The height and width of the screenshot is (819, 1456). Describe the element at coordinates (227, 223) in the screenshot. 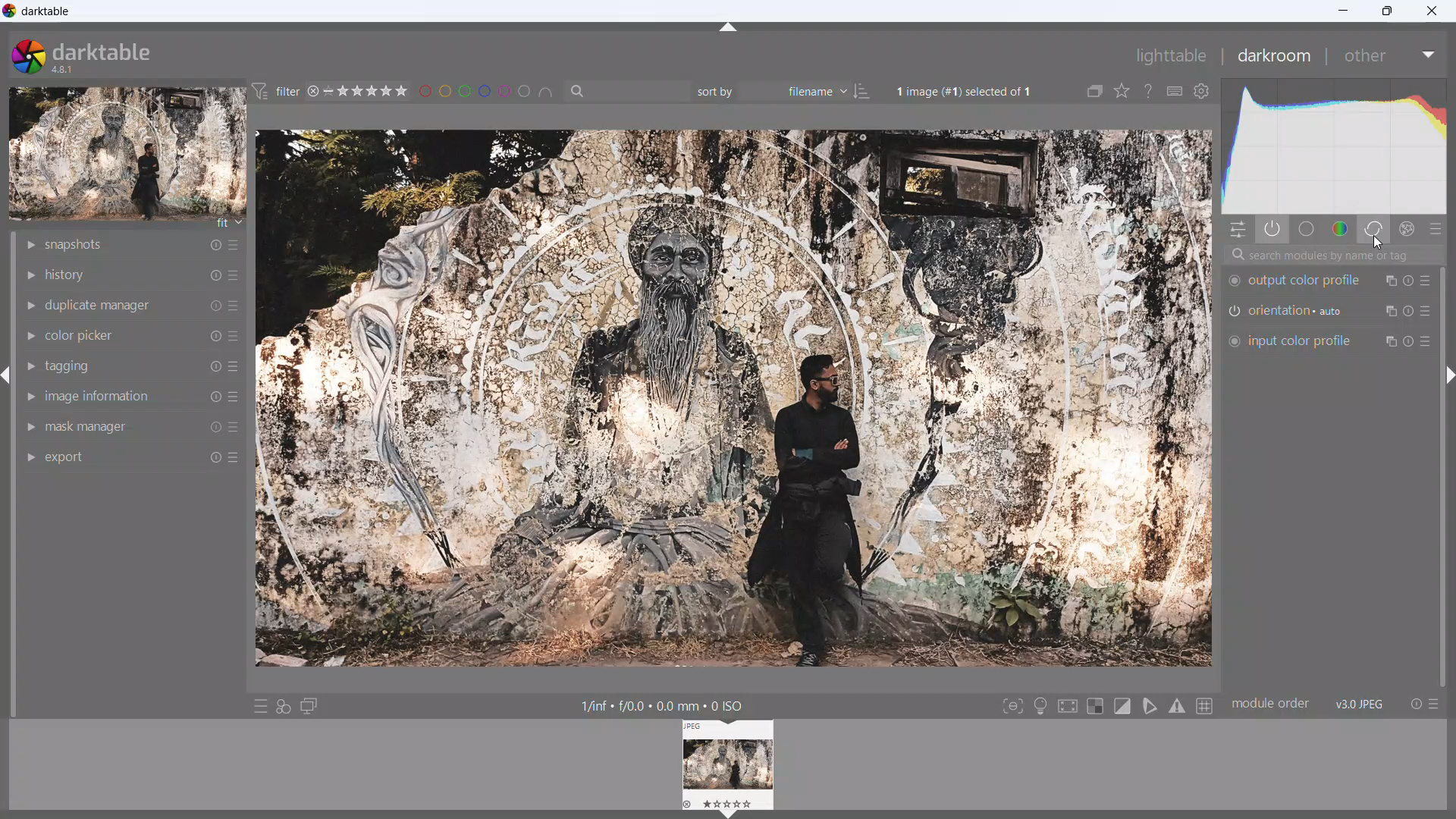

I see `fit` at that location.